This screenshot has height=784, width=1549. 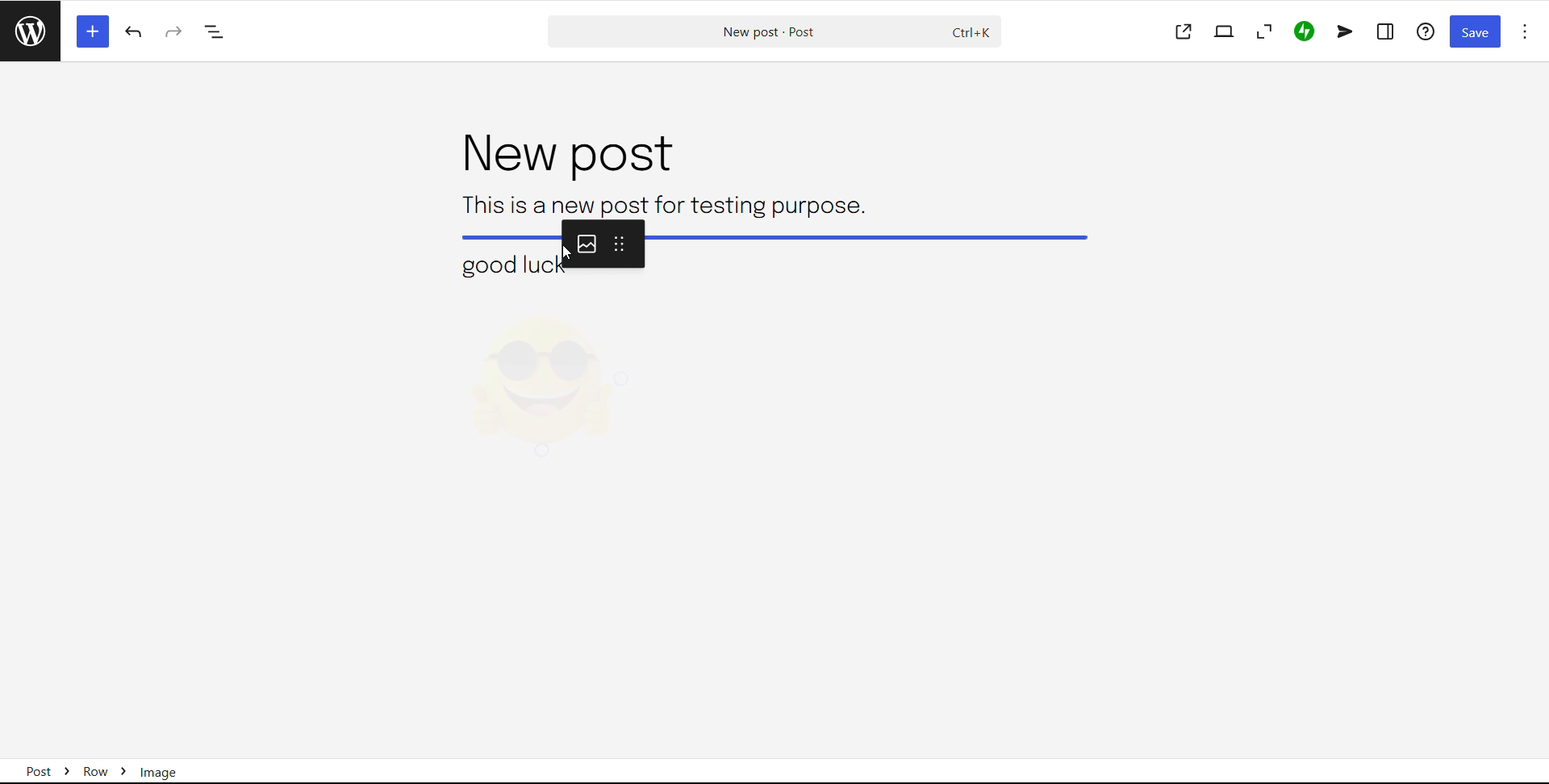 What do you see at coordinates (114, 766) in the screenshot?
I see `Post > Row > Image` at bounding box center [114, 766].